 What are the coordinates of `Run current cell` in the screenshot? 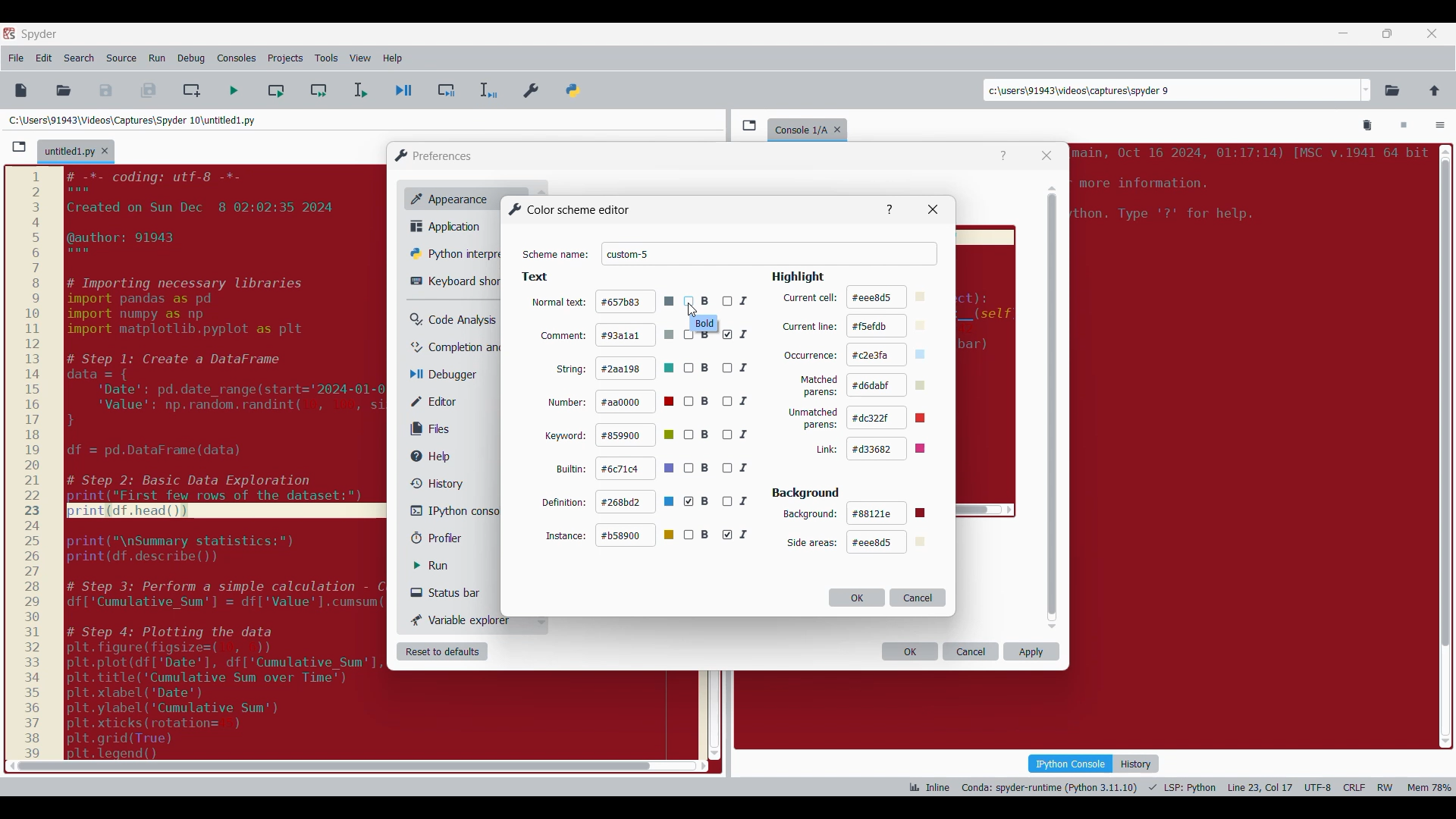 It's located at (276, 90).